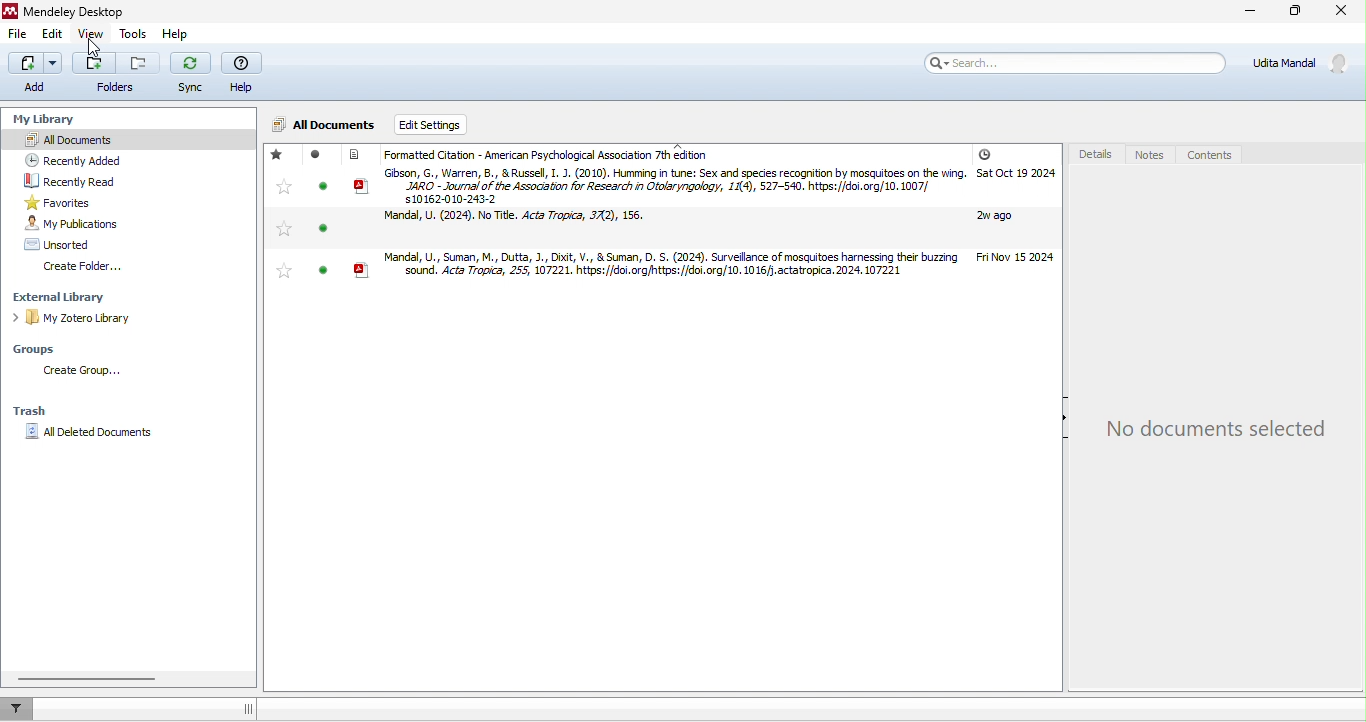 The width and height of the screenshot is (1366, 722). Describe the element at coordinates (80, 222) in the screenshot. I see `my publications` at that location.